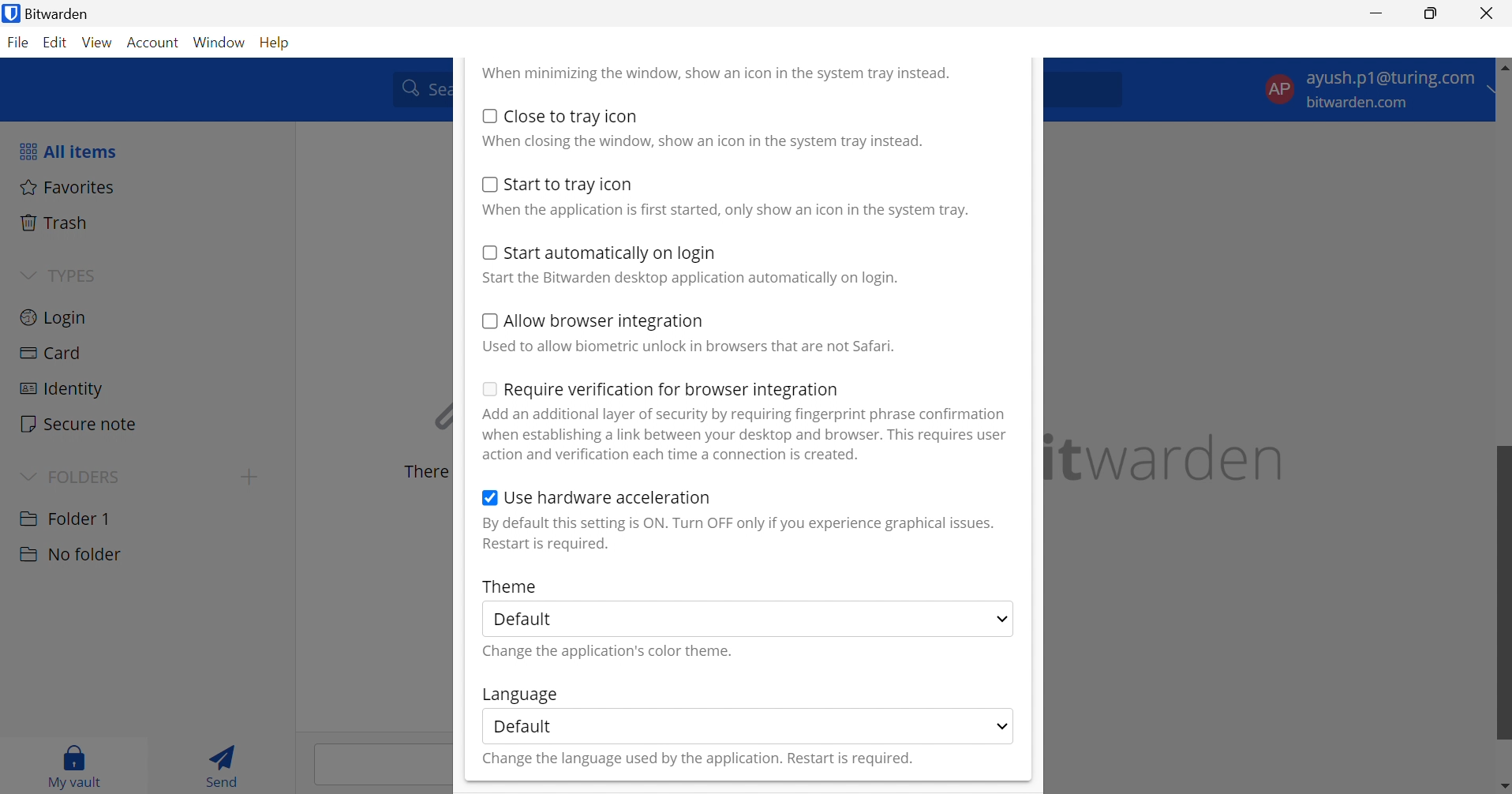 Image resolution: width=1512 pixels, height=794 pixels. Describe the element at coordinates (63, 13) in the screenshot. I see `Bitwarden` at that location.